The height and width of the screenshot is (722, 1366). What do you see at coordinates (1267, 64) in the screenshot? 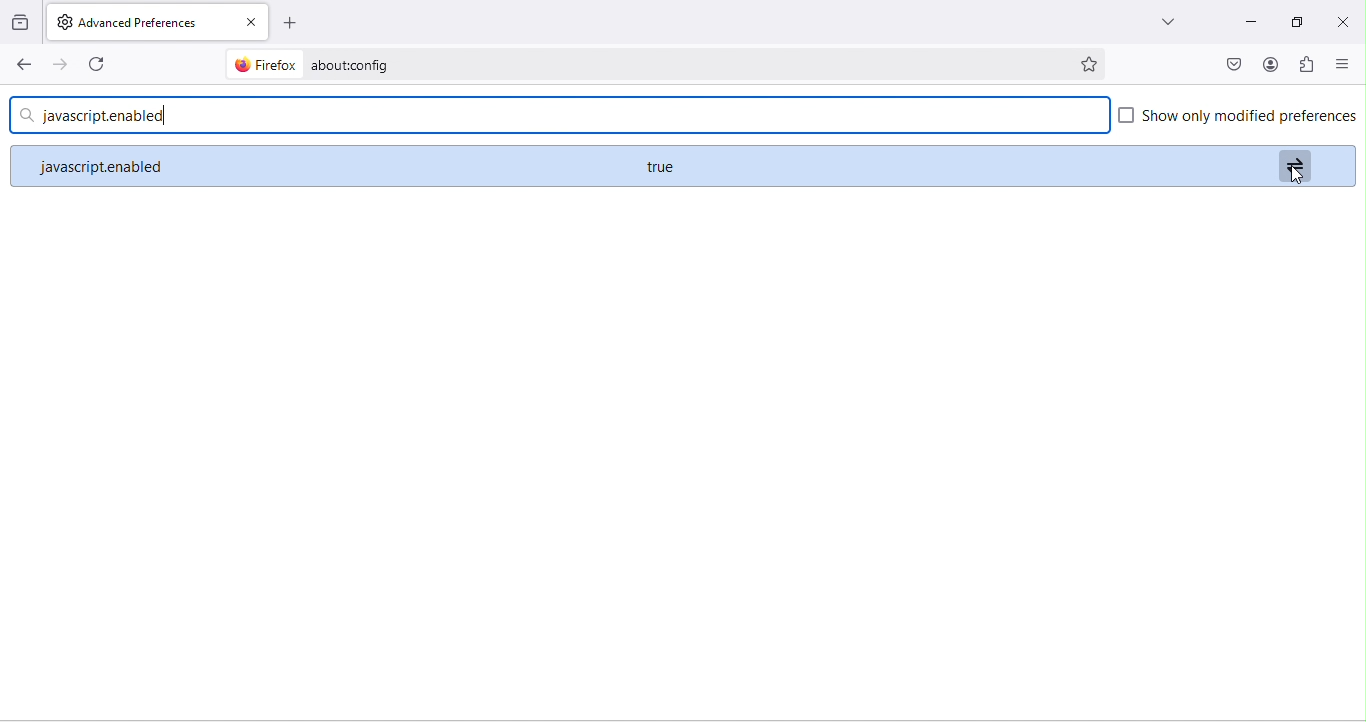
I see `account` at bounding box center [1267, 64].